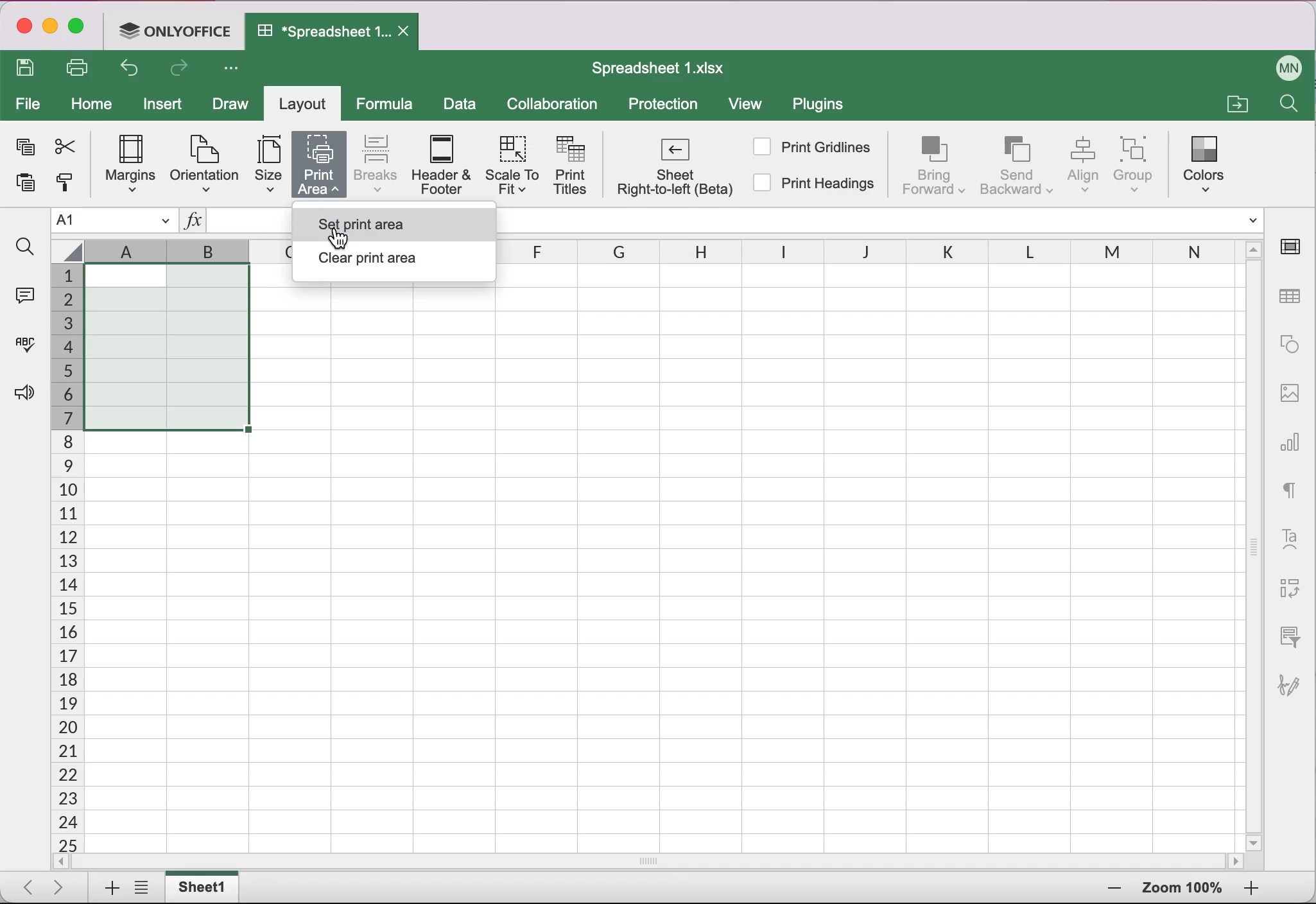 The height and width of the screenshot is (904, 1316). Describe the element at coordinates (318, 164) in the screenshot. I see `Print area` at that location.